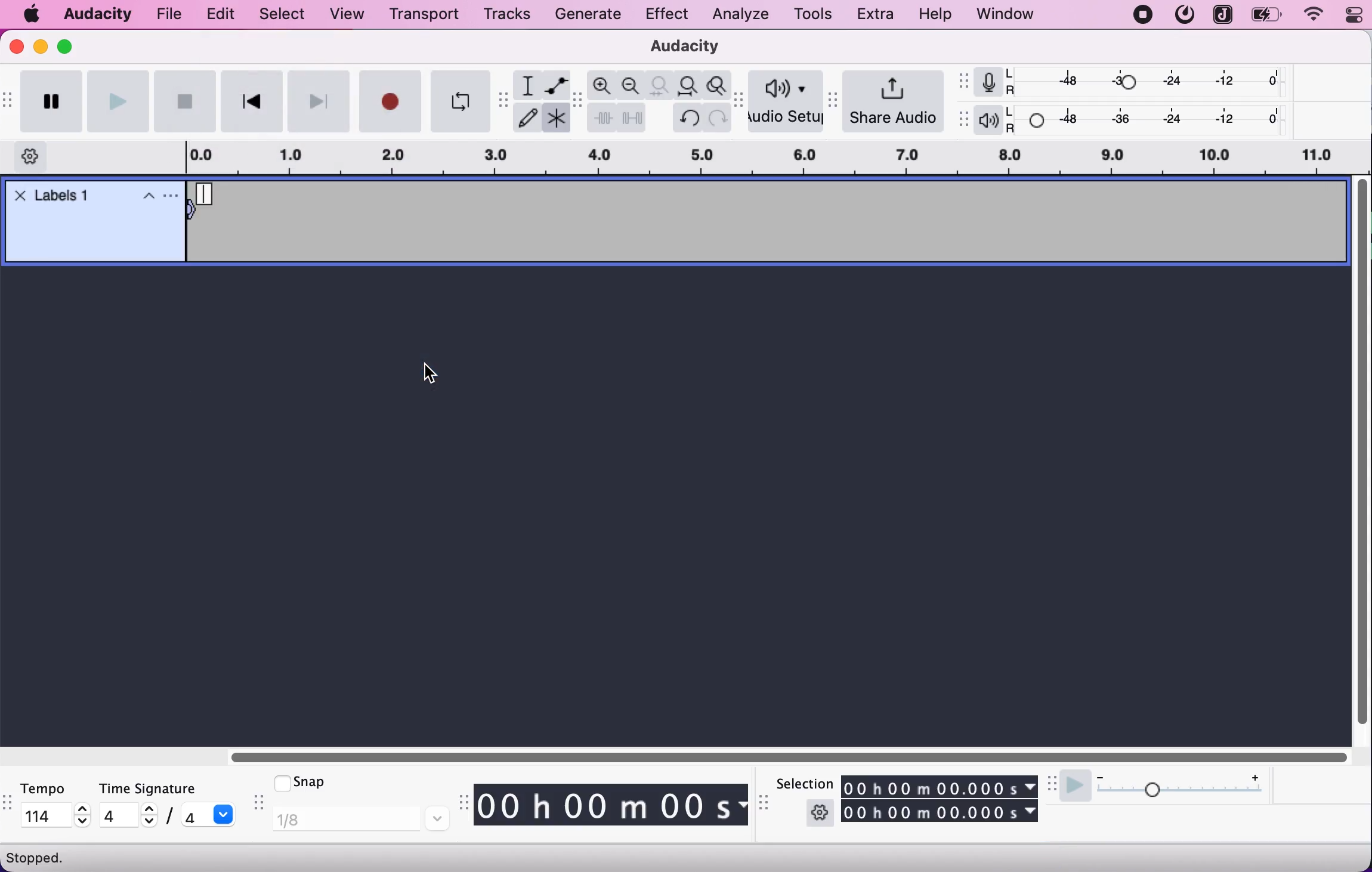 The width and height of the screenshot is (1372, 872). I want to click on audacity tools toolbar, so click(503, 100).